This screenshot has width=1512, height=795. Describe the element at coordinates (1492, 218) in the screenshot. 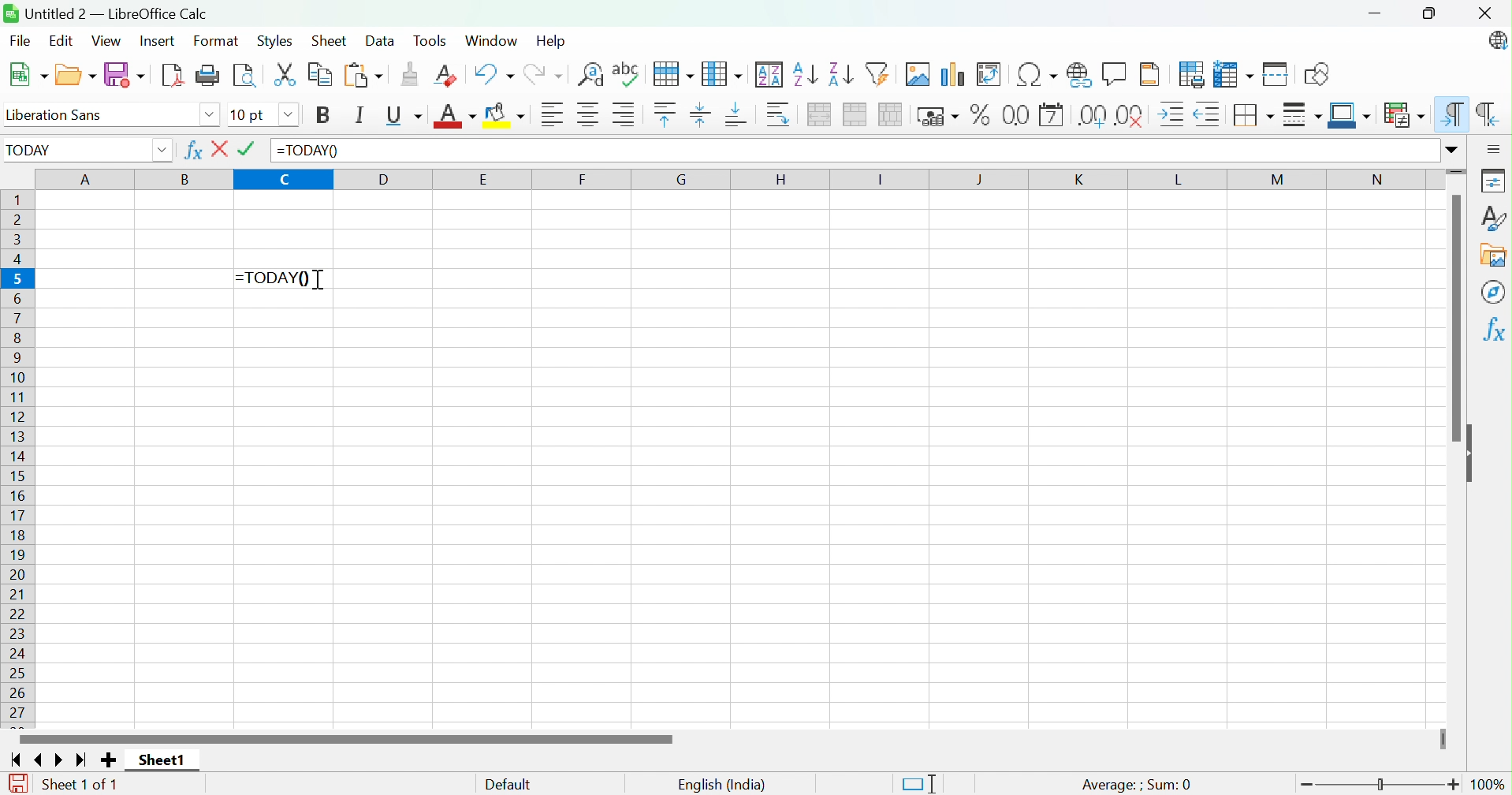

I see `Styles` at that location.